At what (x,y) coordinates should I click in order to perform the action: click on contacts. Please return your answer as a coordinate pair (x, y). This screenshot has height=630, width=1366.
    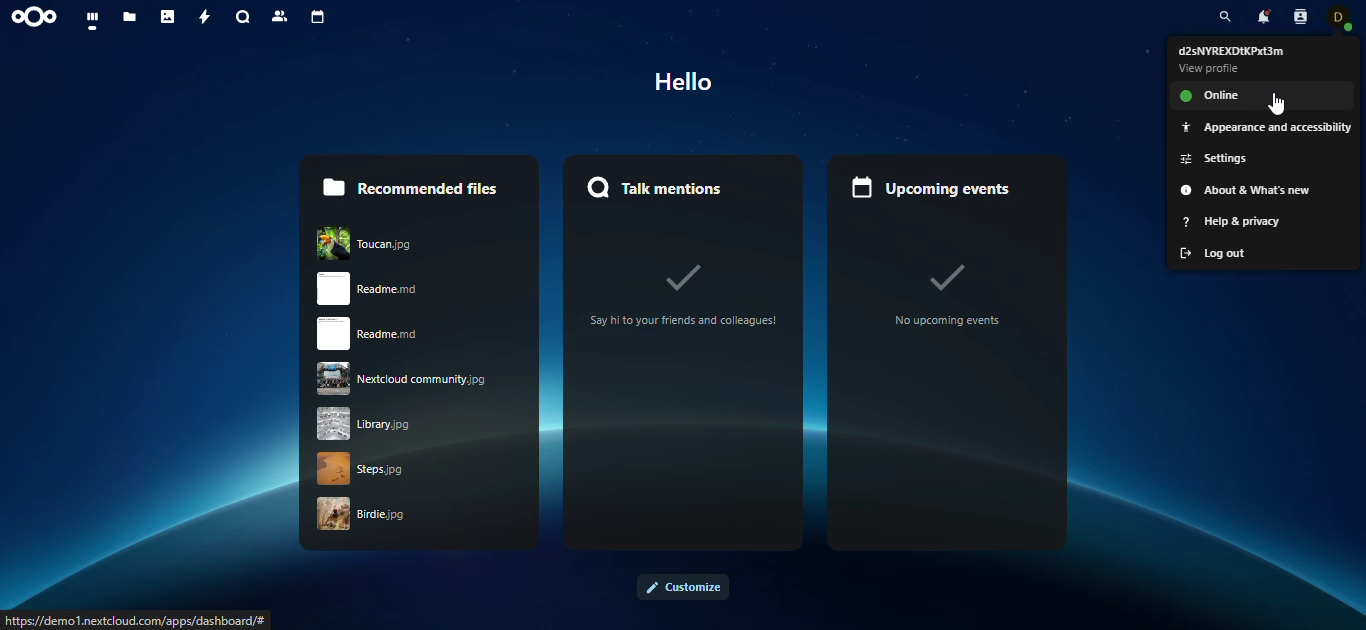
    Looking at the image, I should click on (280, 17).